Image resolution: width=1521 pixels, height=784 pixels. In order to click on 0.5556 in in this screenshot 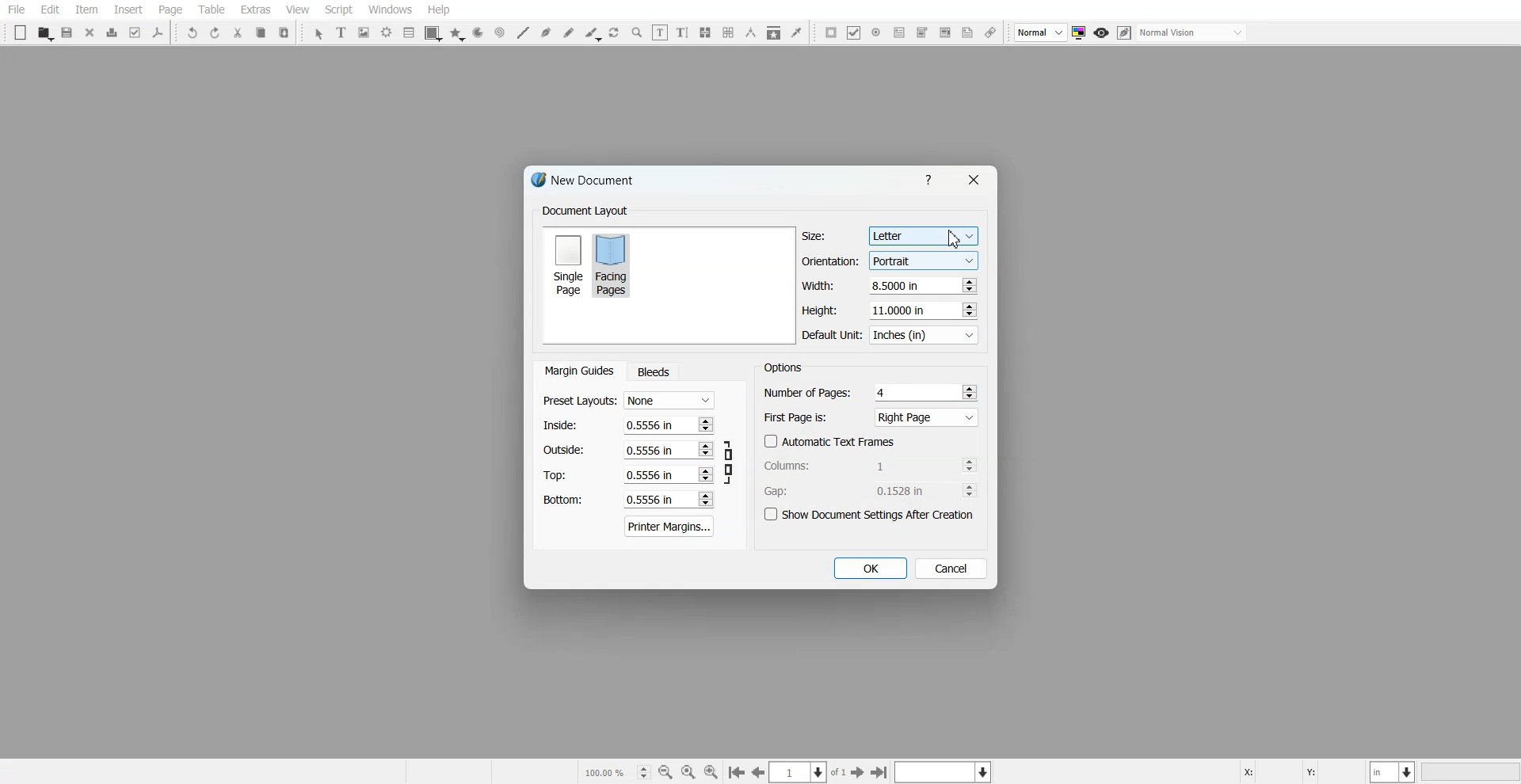, I will do `click(647, 449)`.